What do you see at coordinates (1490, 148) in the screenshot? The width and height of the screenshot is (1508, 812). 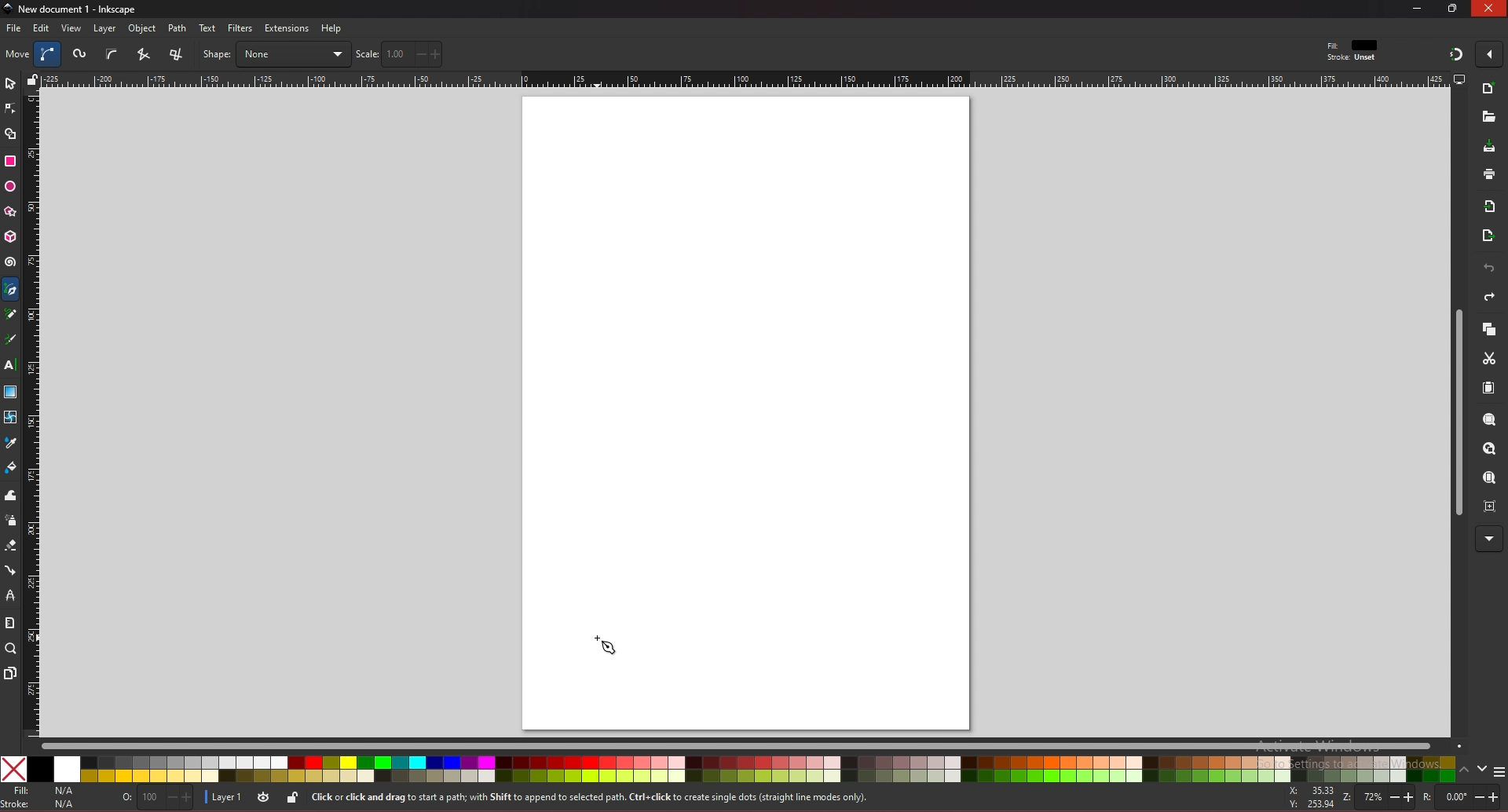 I see `save` at bounding box center [1490, 148].